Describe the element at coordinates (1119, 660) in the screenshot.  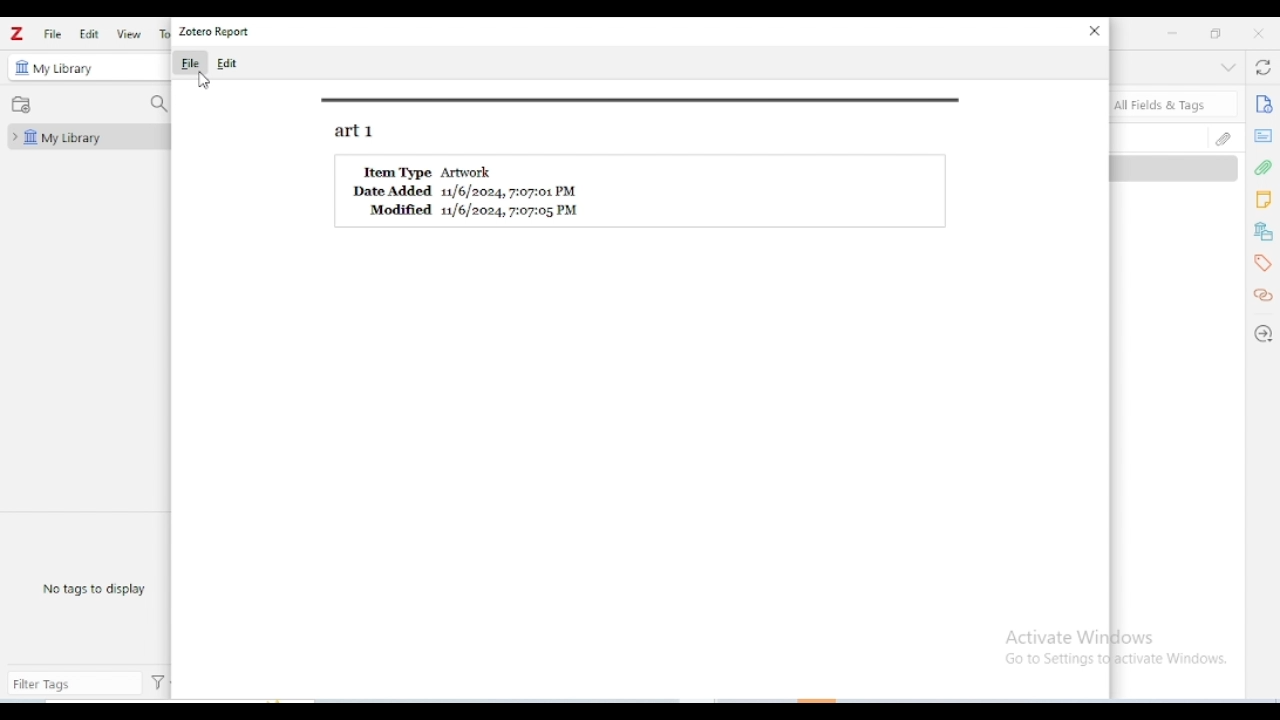
I see `Go to Settings to activate Windows.` at that location.